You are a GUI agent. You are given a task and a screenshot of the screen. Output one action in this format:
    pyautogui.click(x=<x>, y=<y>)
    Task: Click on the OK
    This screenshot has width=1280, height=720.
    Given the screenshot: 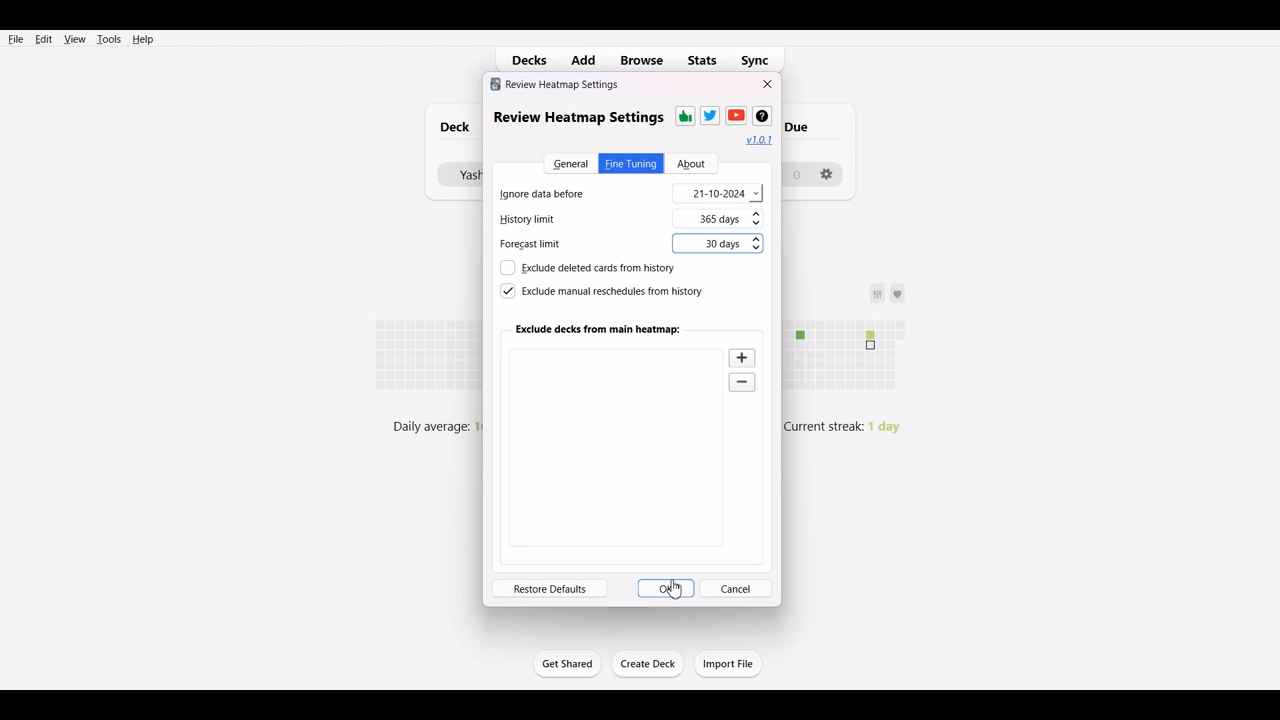 What is the action you would take?
    pyautogui.click(x=666, y=588)
    